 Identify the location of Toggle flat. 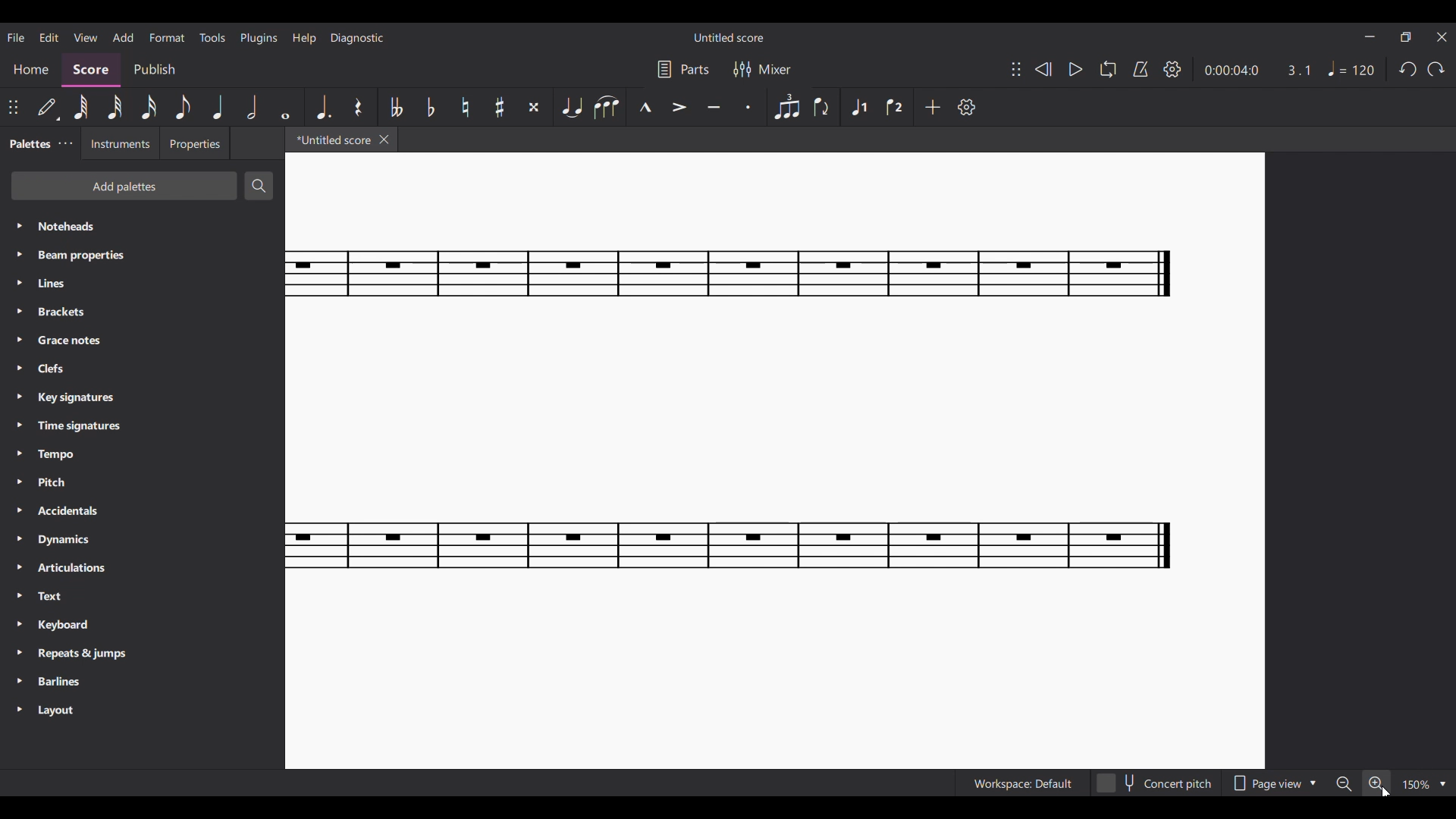
(429, 107).